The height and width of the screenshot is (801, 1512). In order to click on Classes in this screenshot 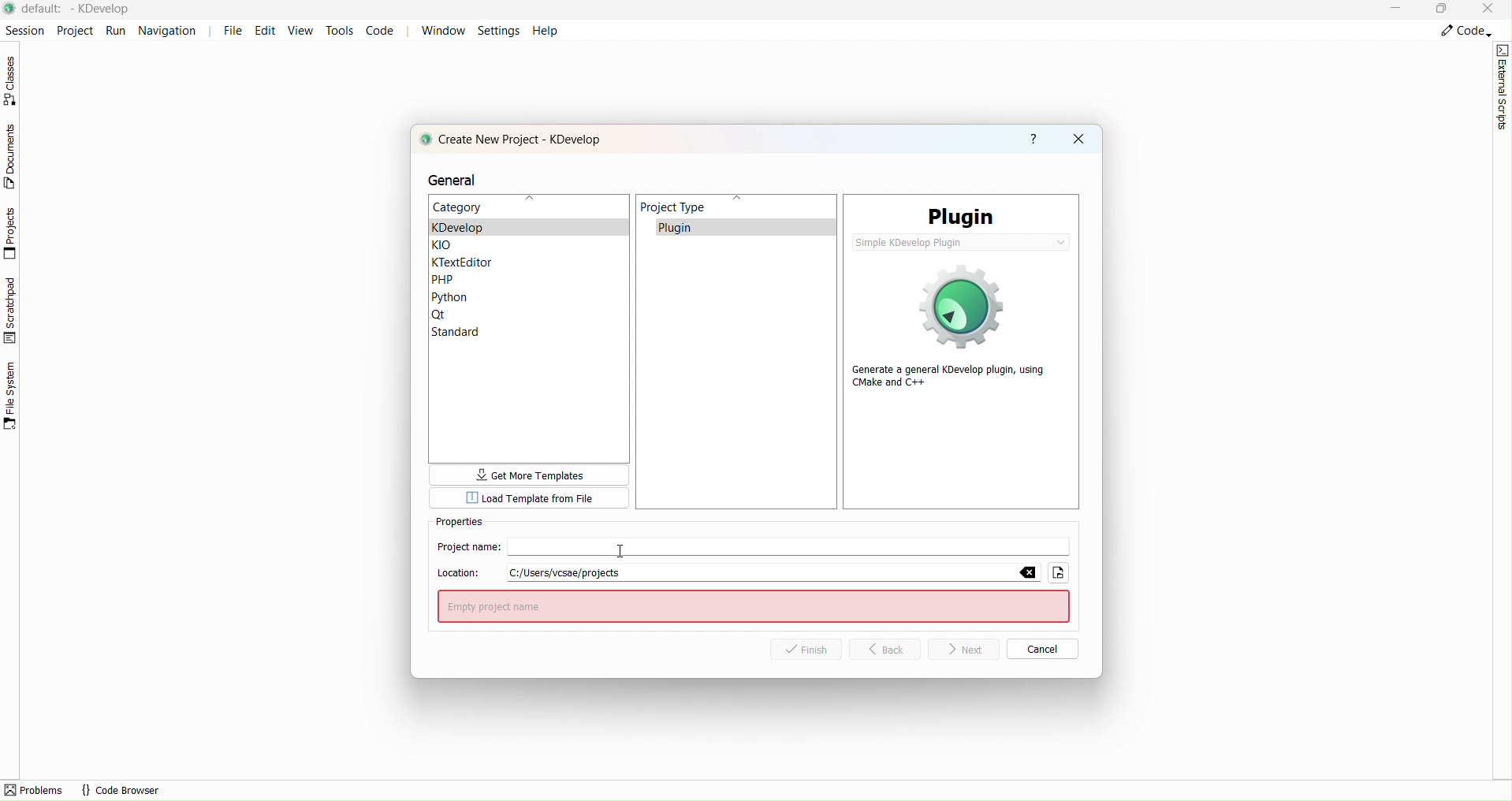, I will do `click(15, 80)`.